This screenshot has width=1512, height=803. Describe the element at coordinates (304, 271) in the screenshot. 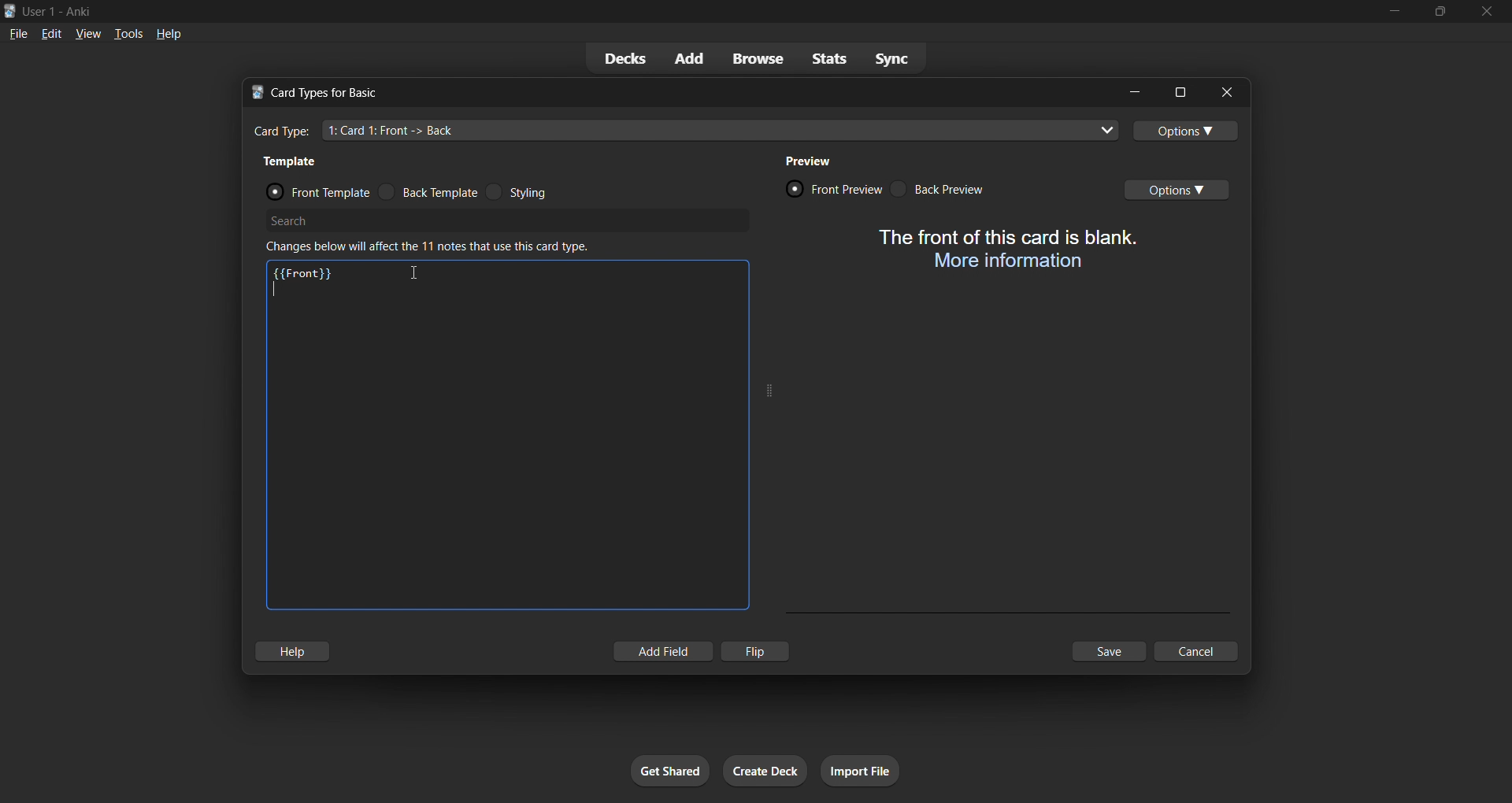

I see `{{Font}}` at that location.